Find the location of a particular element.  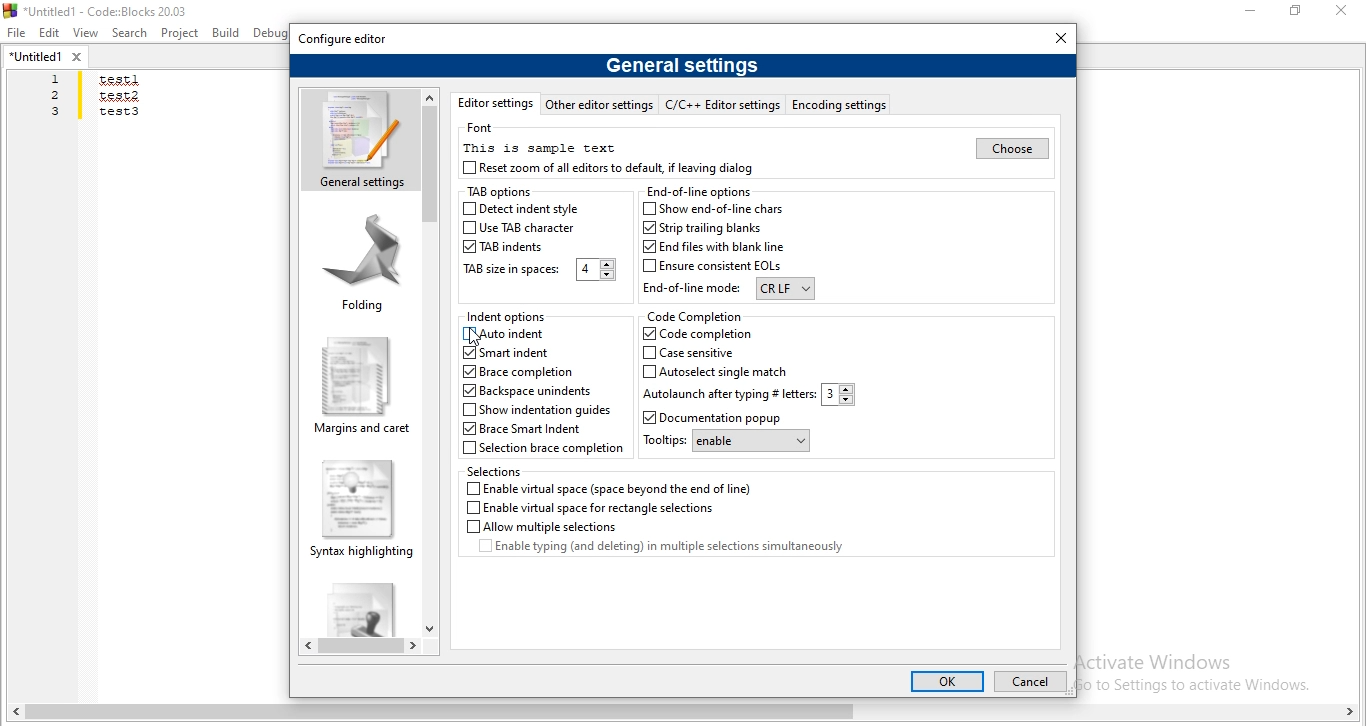

configure editor is located at coordinates (344, 39).